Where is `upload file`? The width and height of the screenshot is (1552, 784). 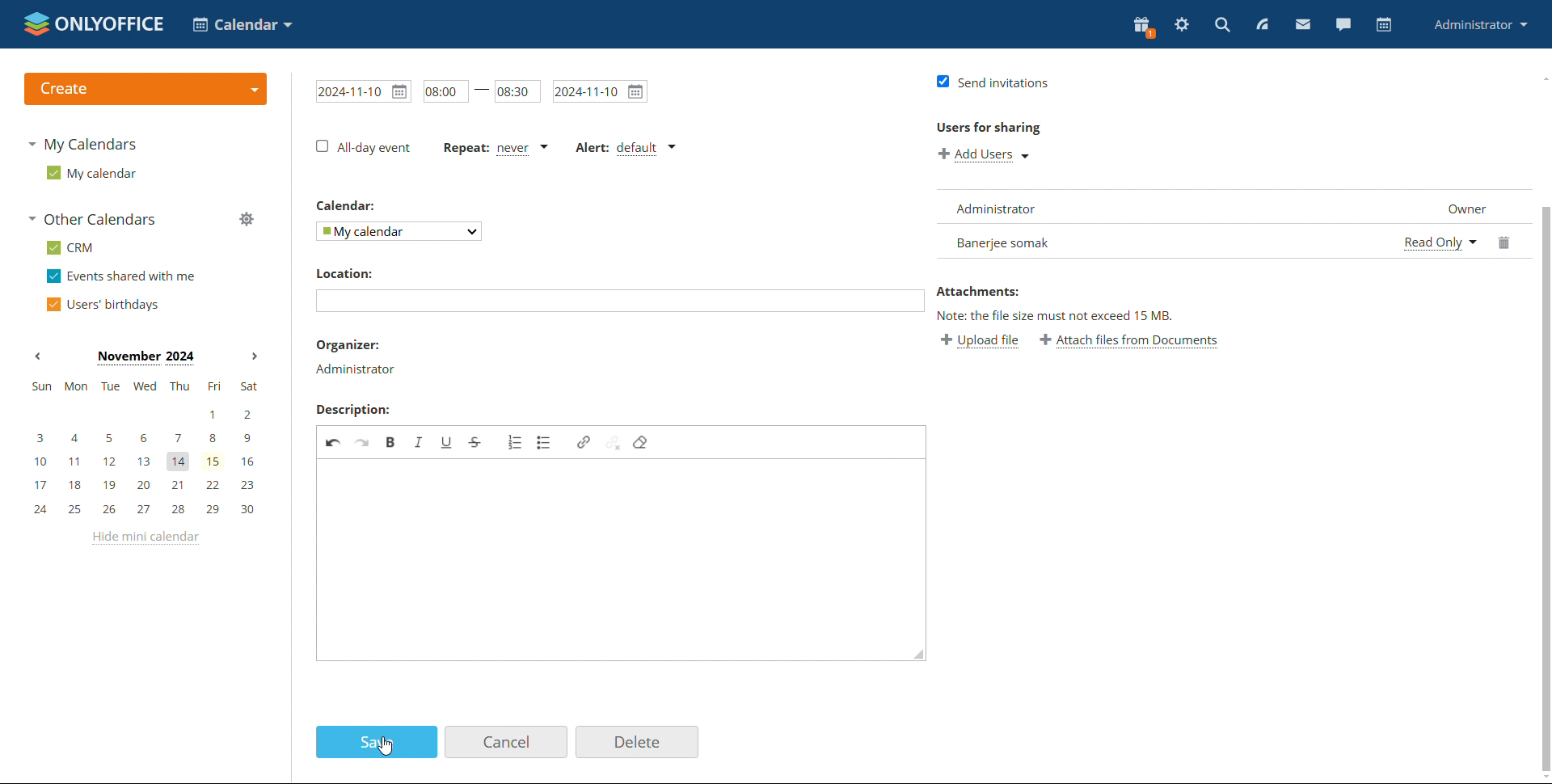
upload file is located at coordinates (979, 340).